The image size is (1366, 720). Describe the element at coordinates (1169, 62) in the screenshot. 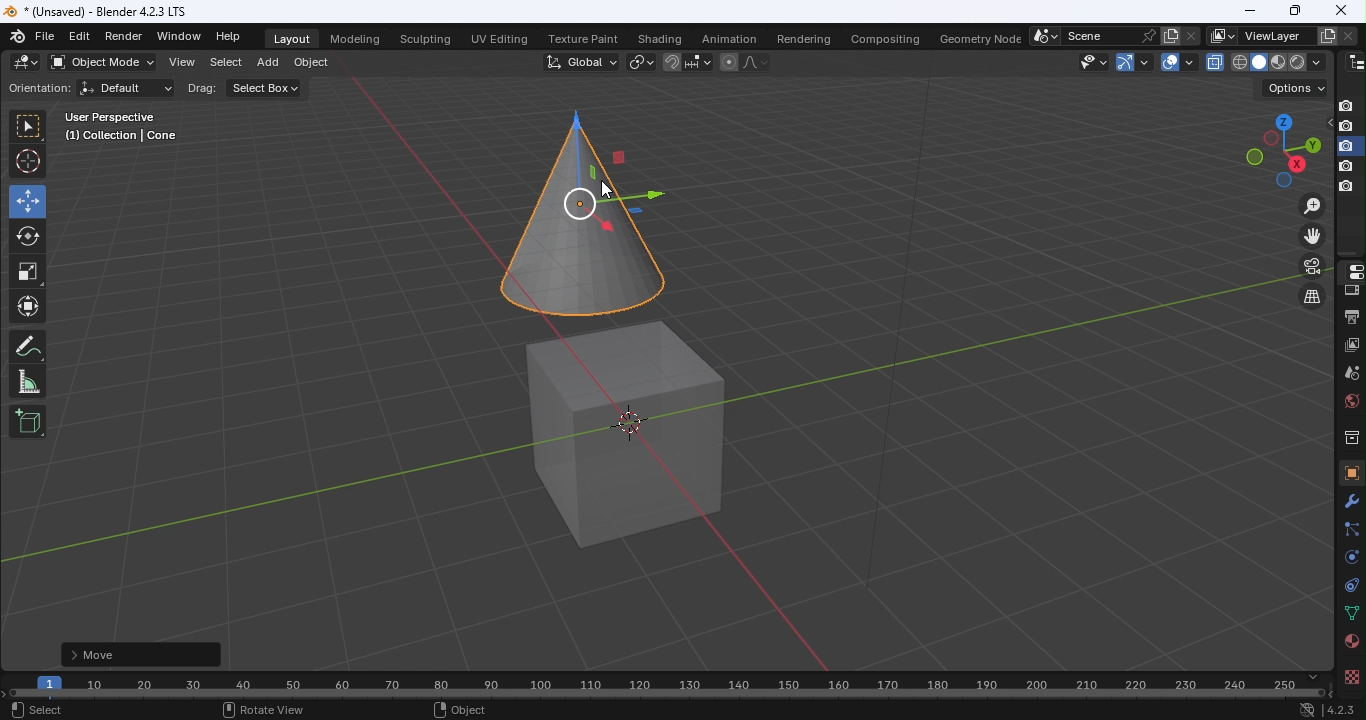

I see `Show overlays` at that location.